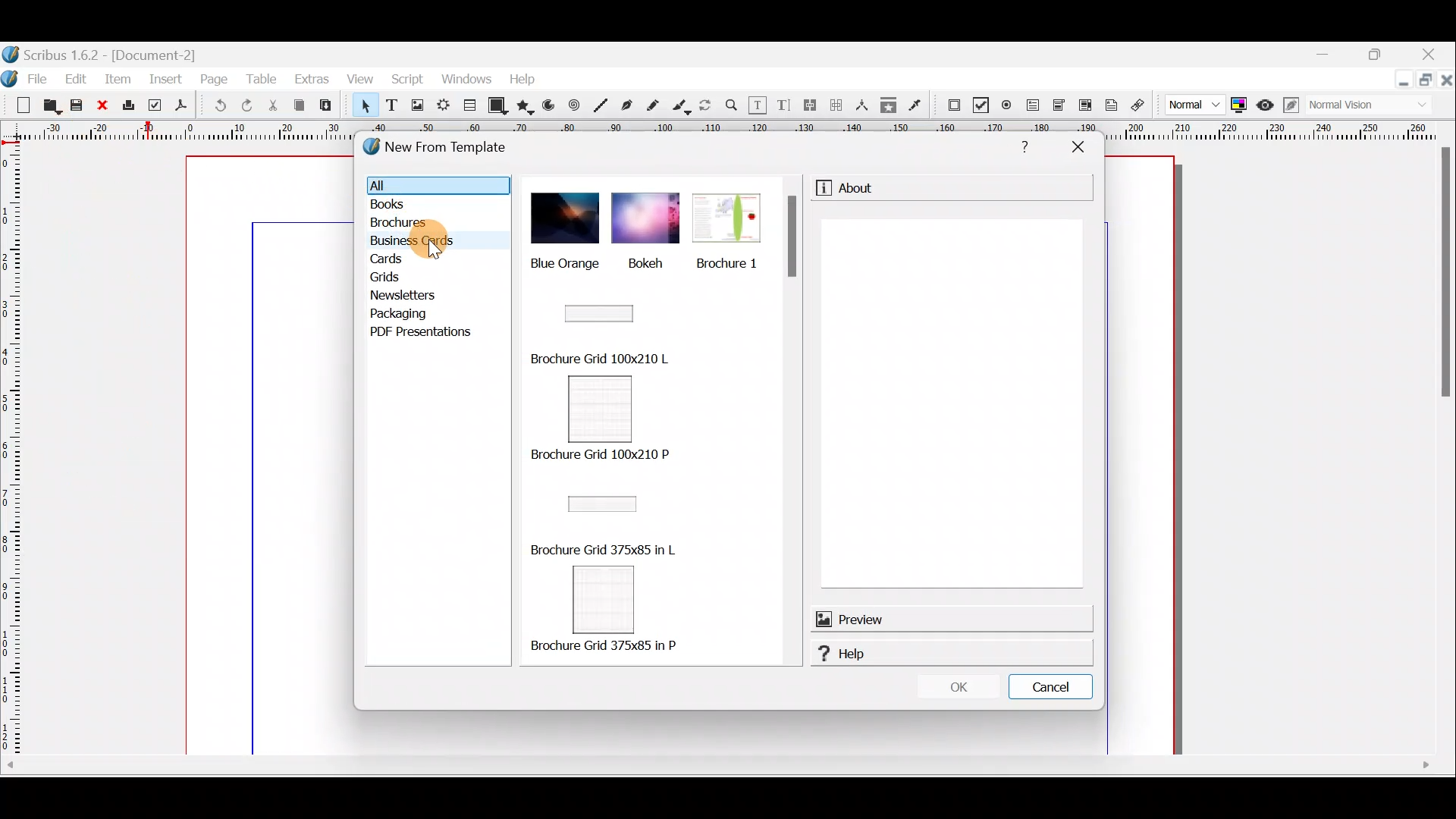  Describe the element at coordinates (599, 106) in the screenshot. I see `Line` at that location.